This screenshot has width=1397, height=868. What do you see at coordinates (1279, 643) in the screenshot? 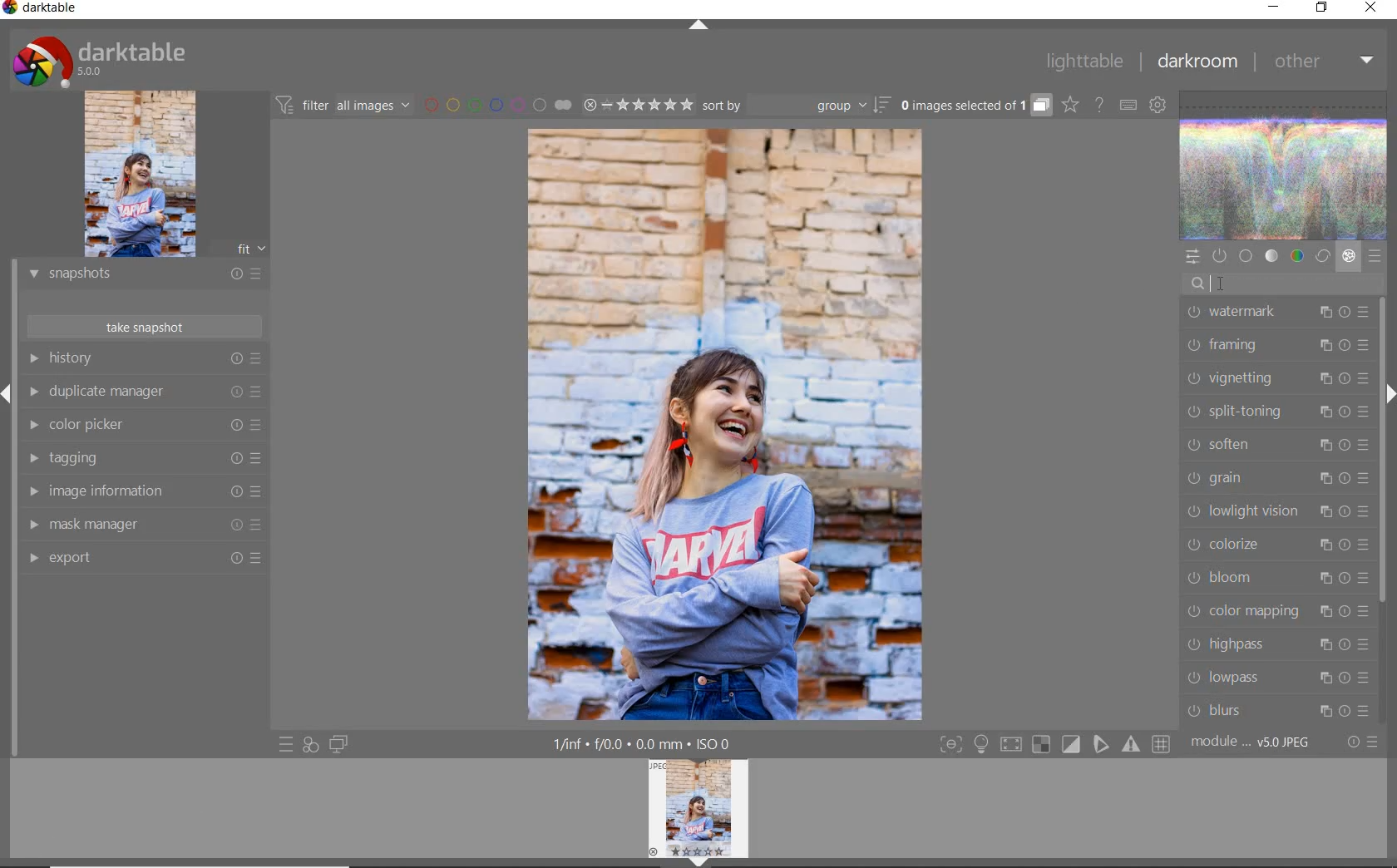
I see `highpass` at bounding box center [1279, 643].